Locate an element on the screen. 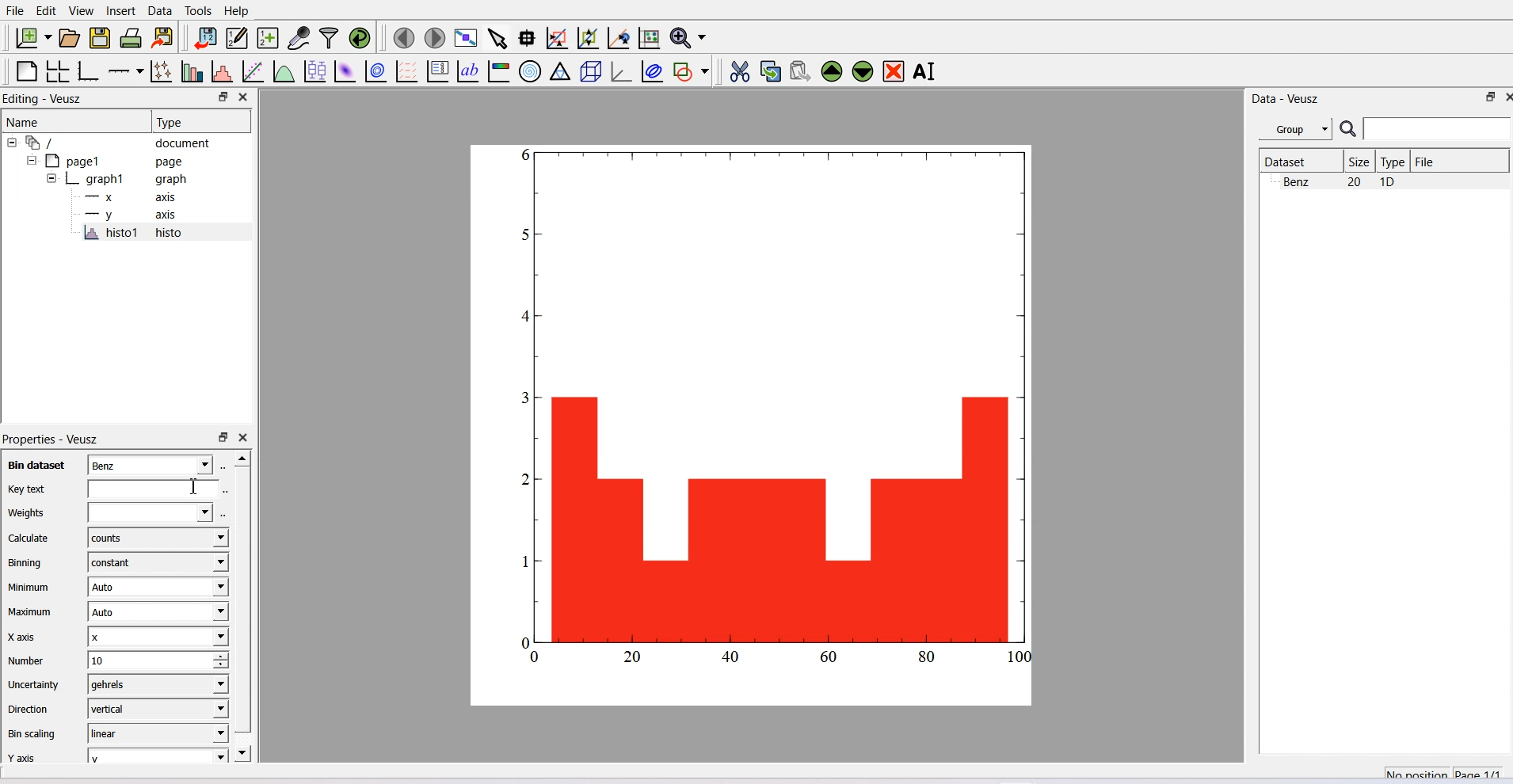 The width and height of the screenshot is (1513, 784). Editor is located at coordinates (238, 37).